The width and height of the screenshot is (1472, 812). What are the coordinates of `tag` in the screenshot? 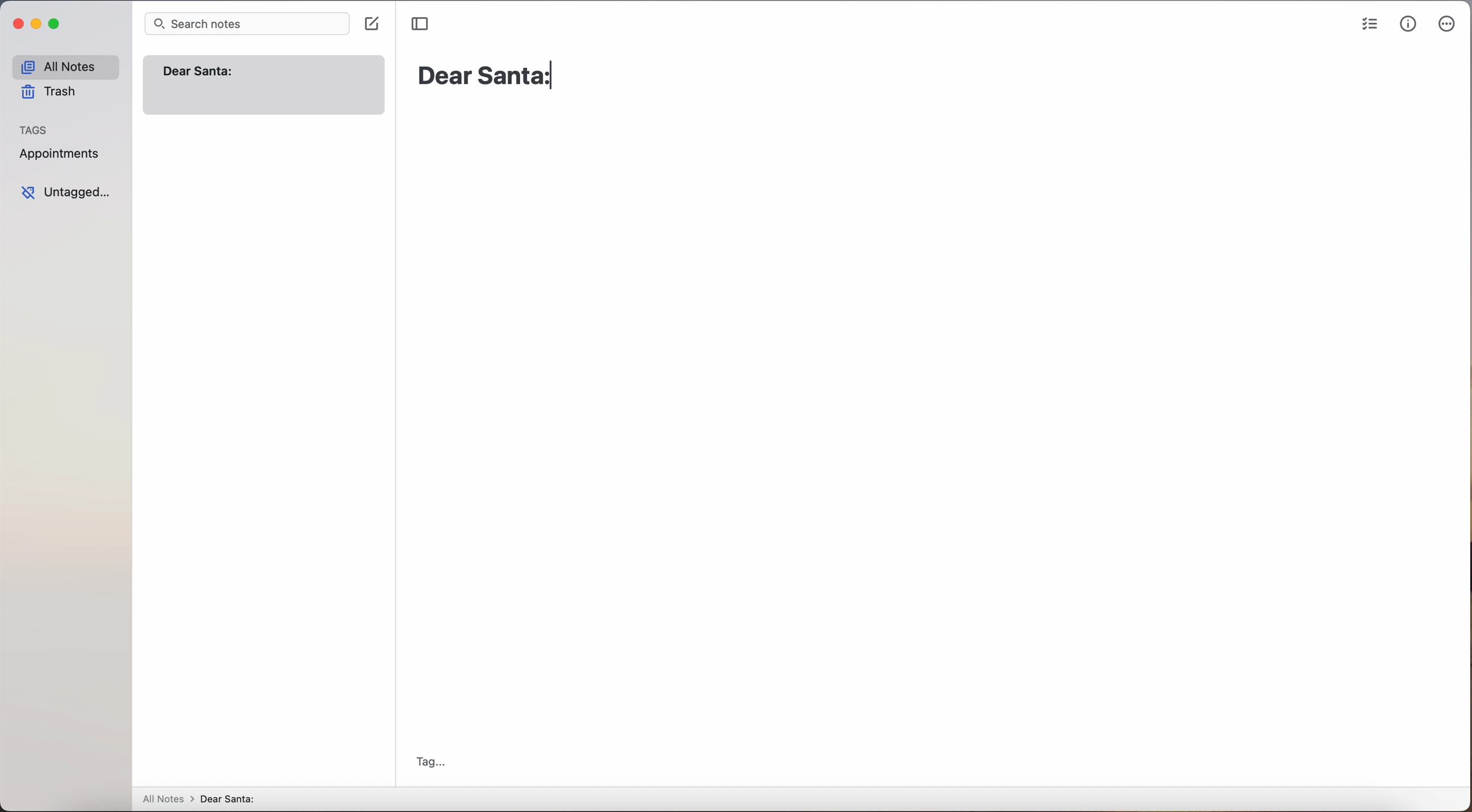 It's located at (443, 768).